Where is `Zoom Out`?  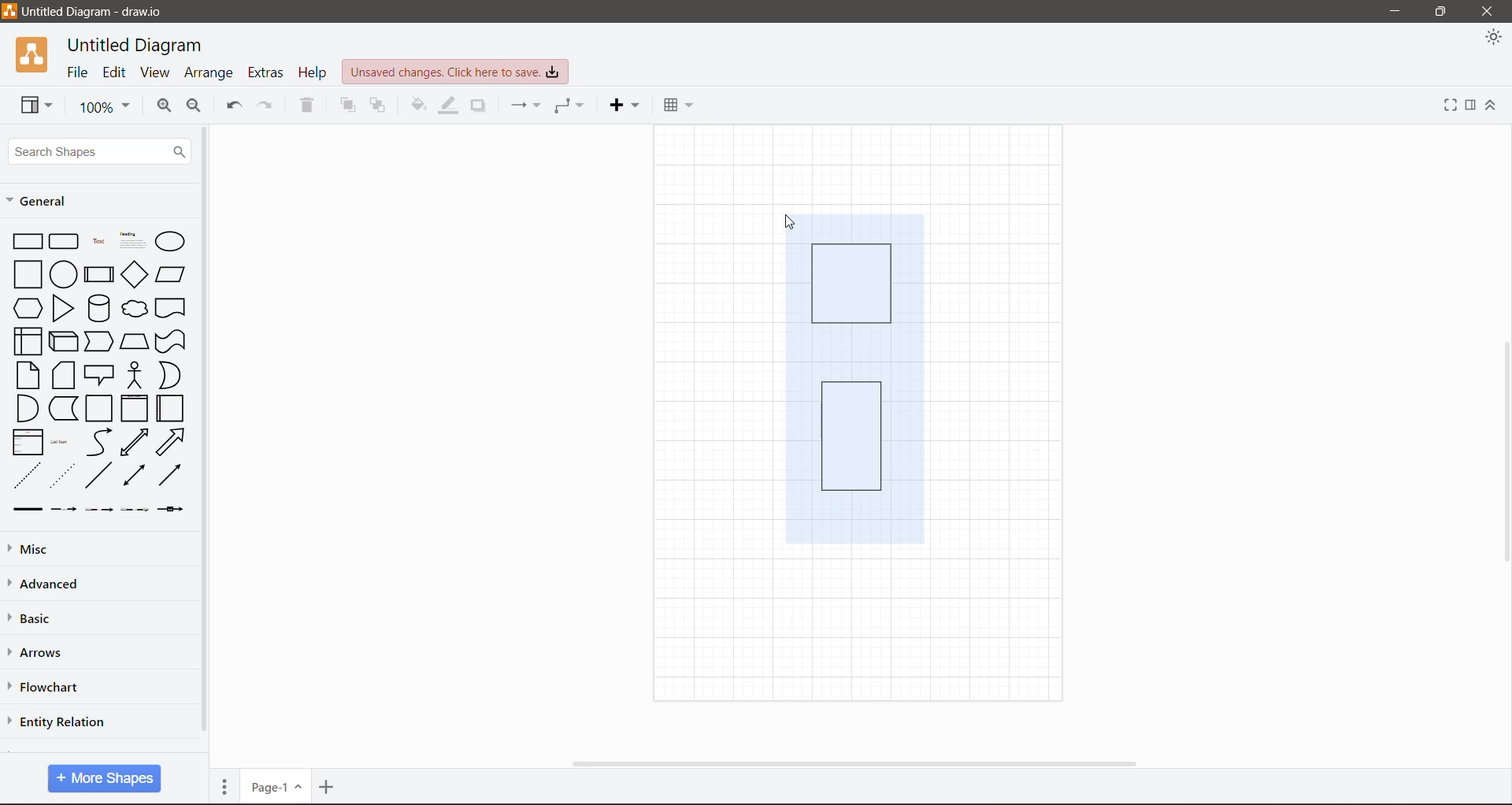
Zoom Out is located at coordinates (196, 107).